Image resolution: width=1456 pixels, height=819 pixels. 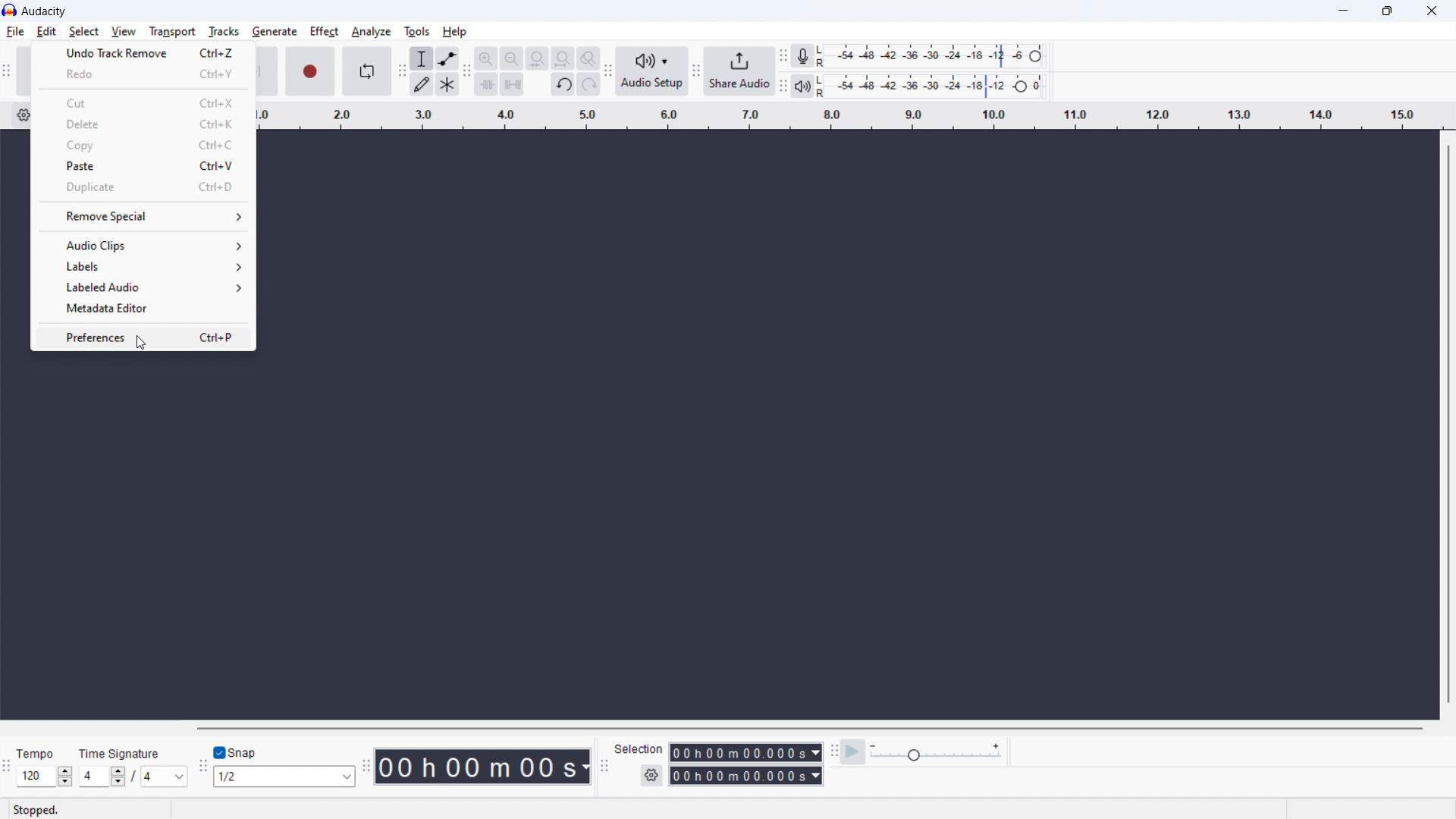 What do you see at coordinates (808, 729) in the screenshot?
I see `horizontal scrollbar` at bounding box center [808, 729].